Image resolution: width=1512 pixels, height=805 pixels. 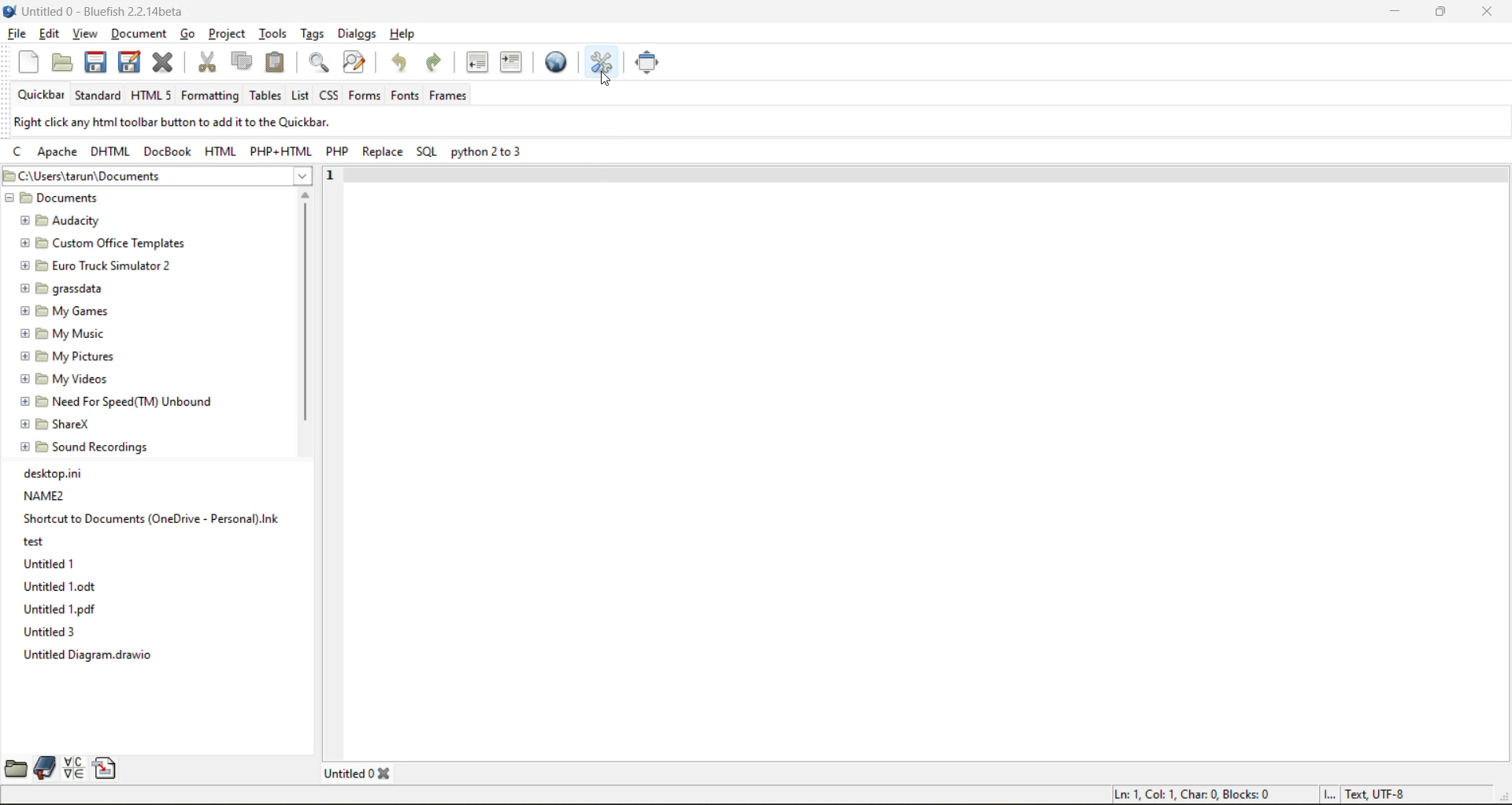 What do you see at coordinates (92, 62) in the screenshot?
I see `save` at bounding box center [92, 62].